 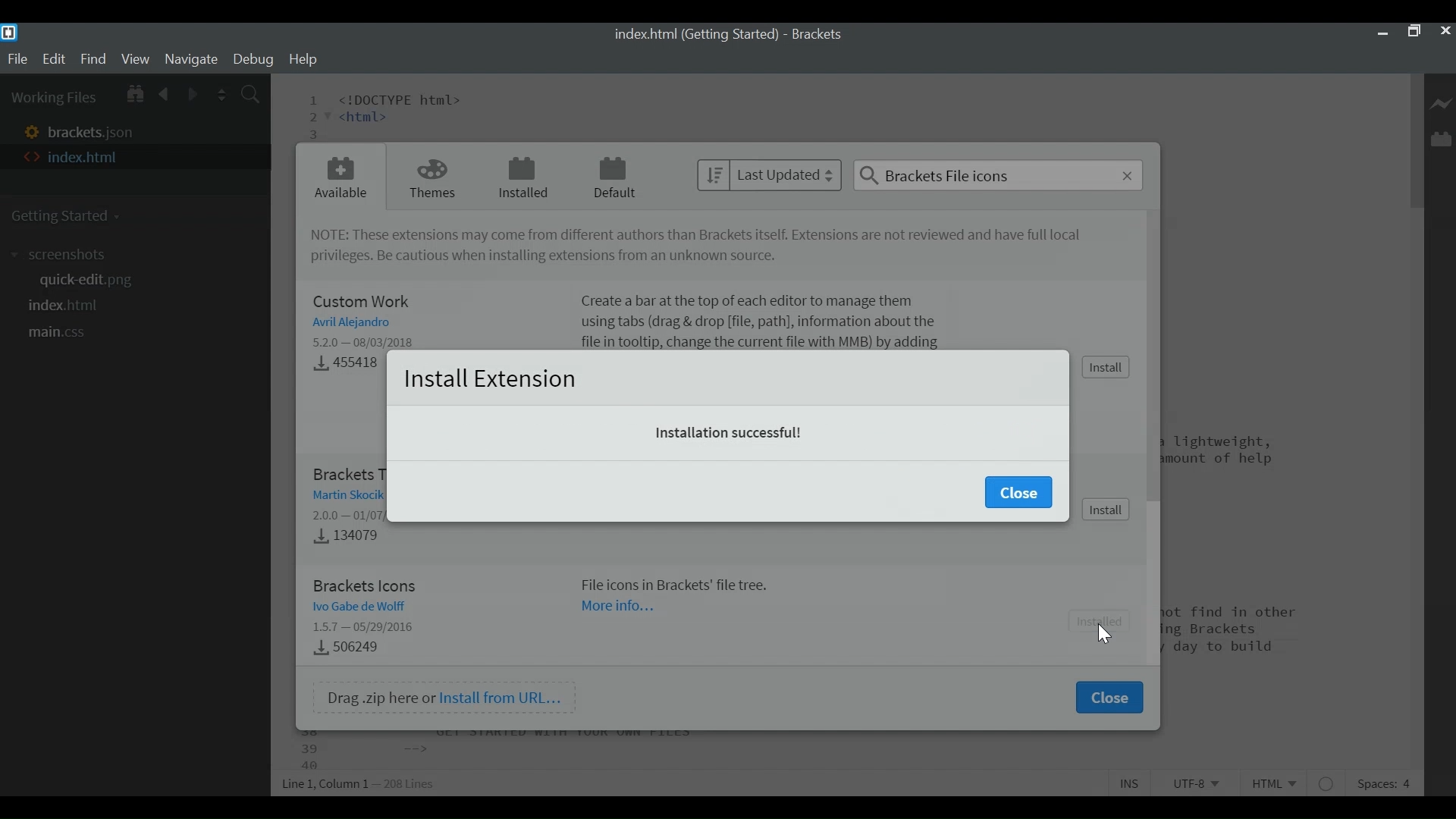 I want to click on Themes, so click(x=433, y=177).